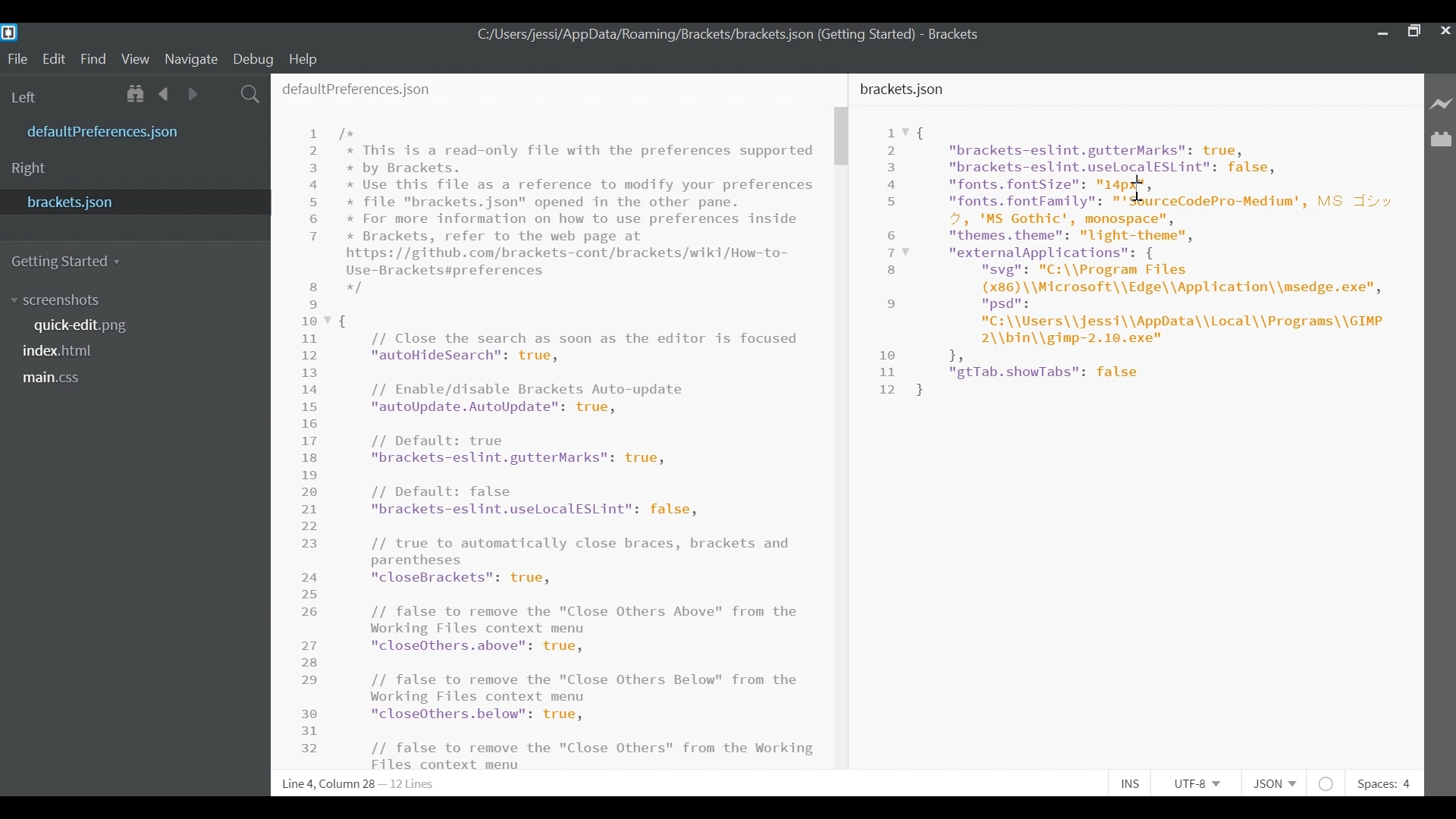 The width and height of the screenshot is (1456, 819). Describe the element at coordinates (93, 57) in the screenshot. I see `Find` at that location.